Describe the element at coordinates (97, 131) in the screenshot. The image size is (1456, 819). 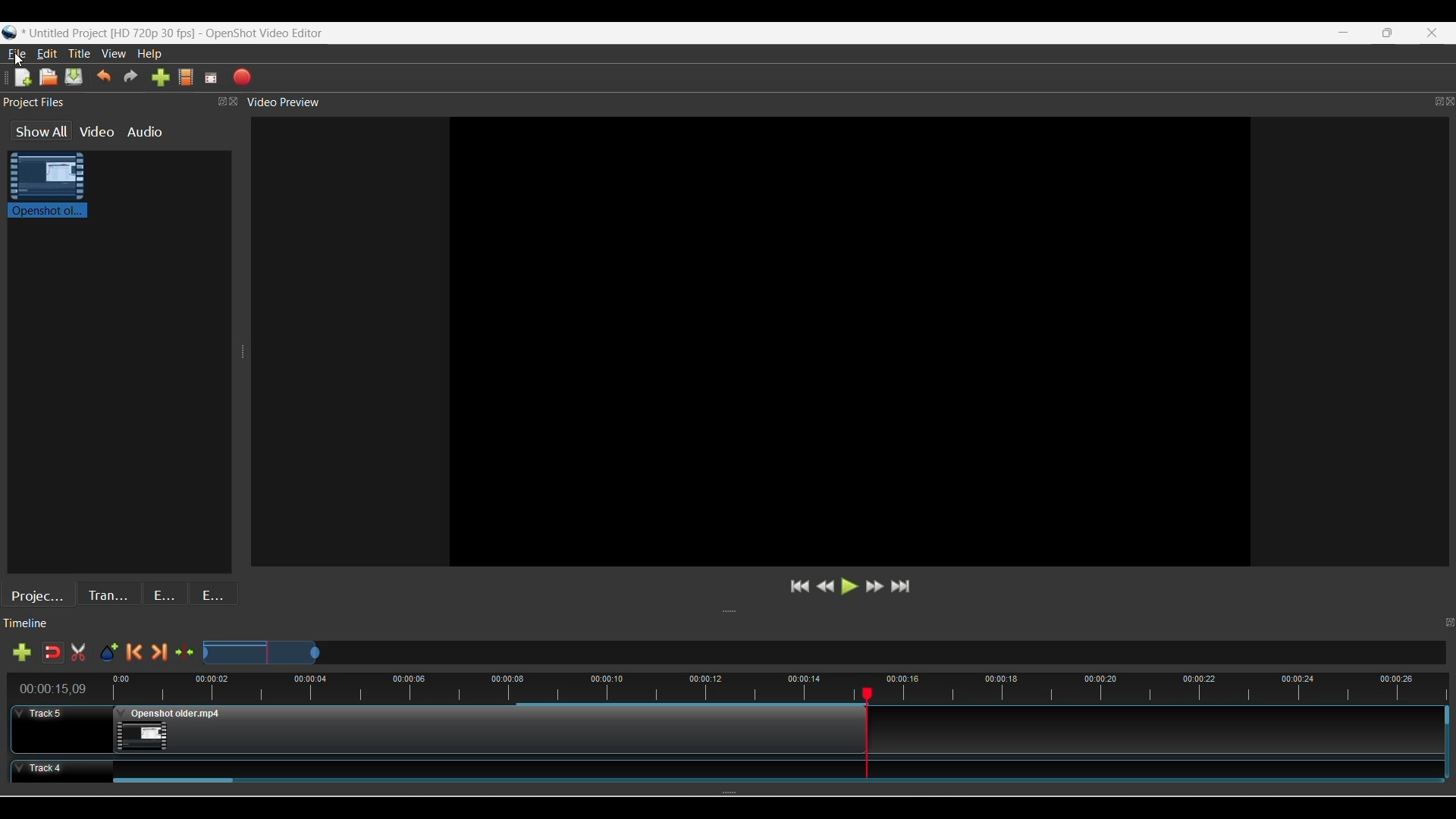
I see `Video files in the project` at that location.